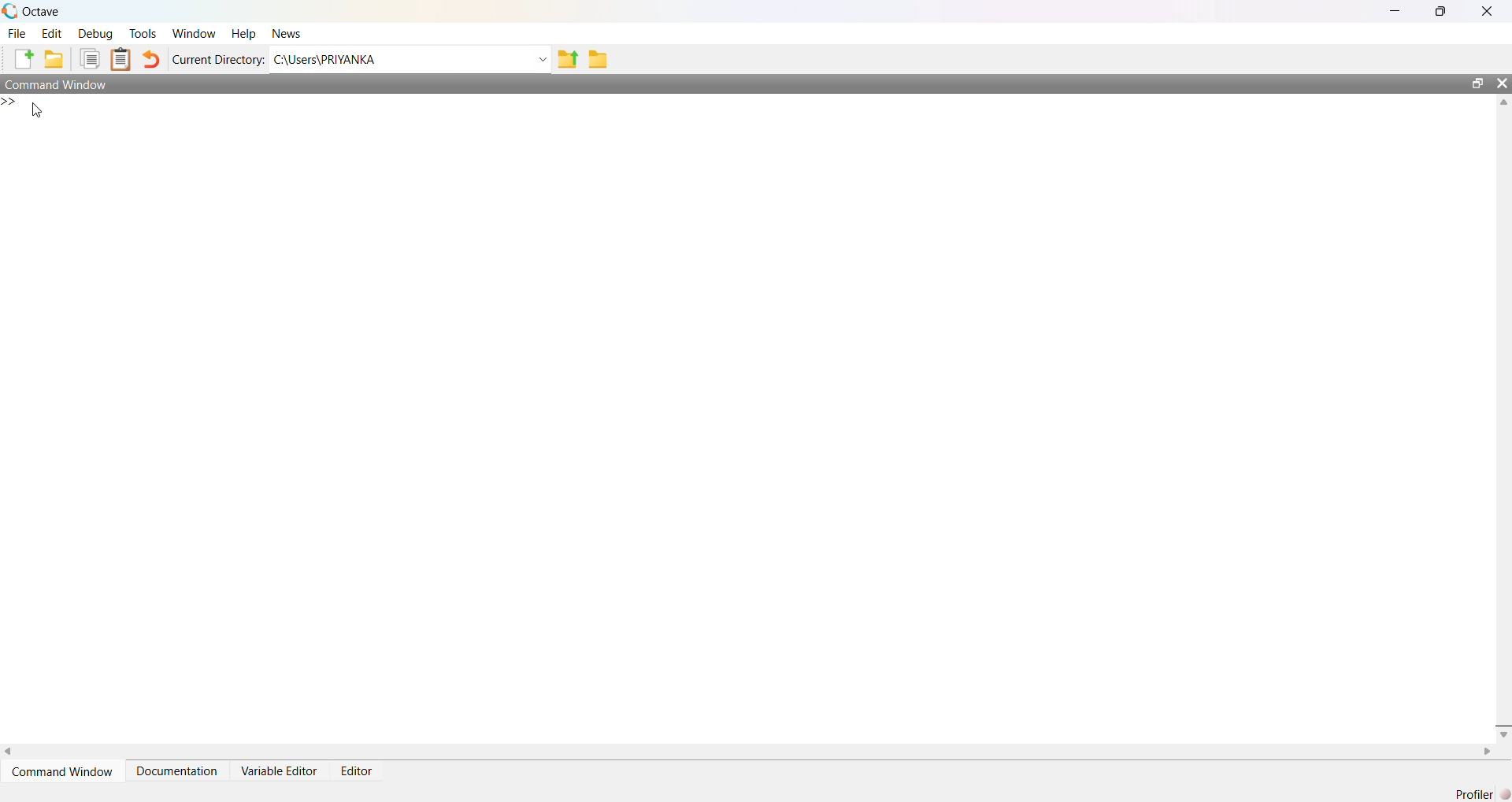  I want to click on logo, so click(11, 12).